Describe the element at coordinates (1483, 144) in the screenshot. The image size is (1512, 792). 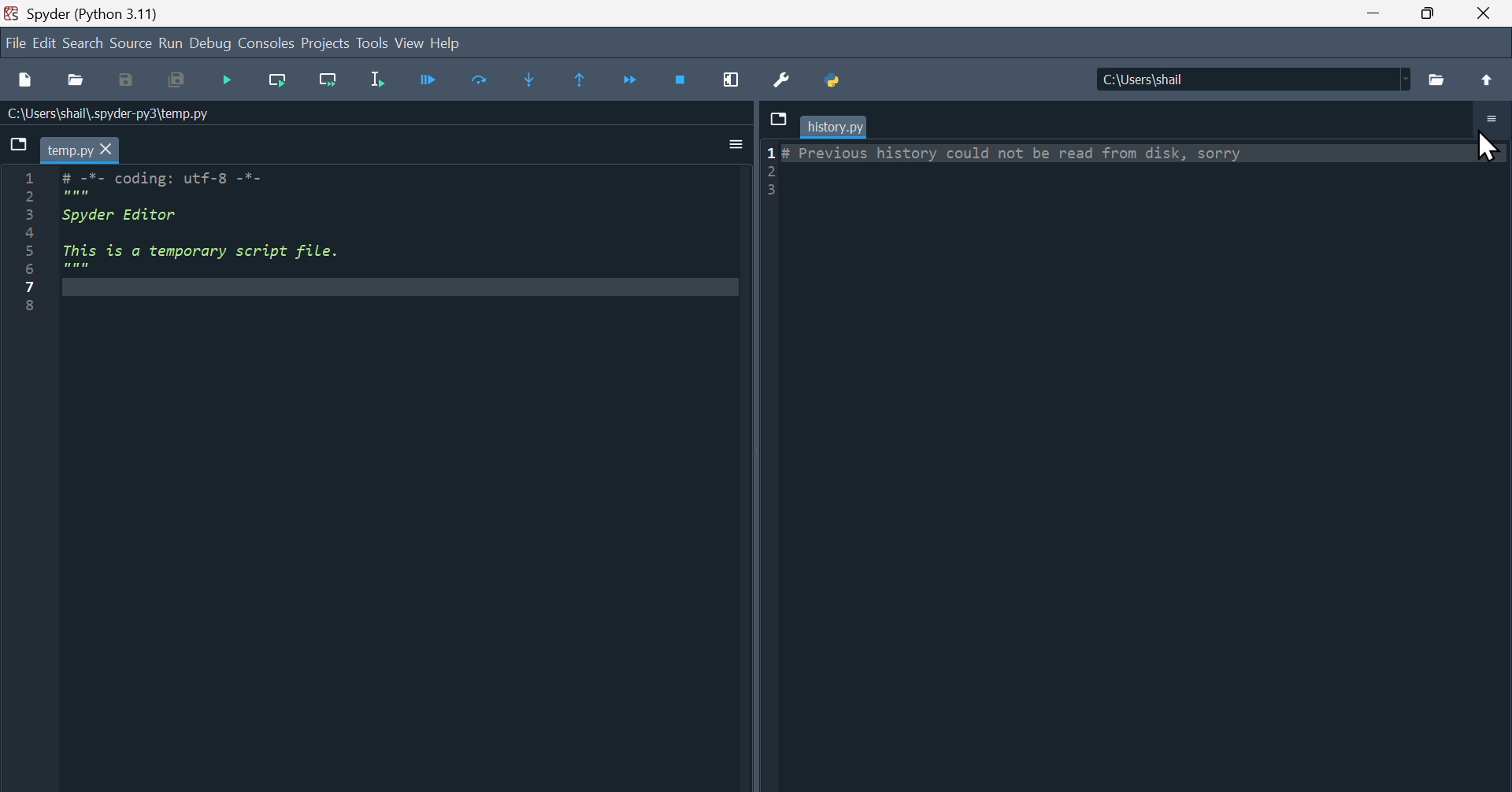
I see `Cursor` at that location.